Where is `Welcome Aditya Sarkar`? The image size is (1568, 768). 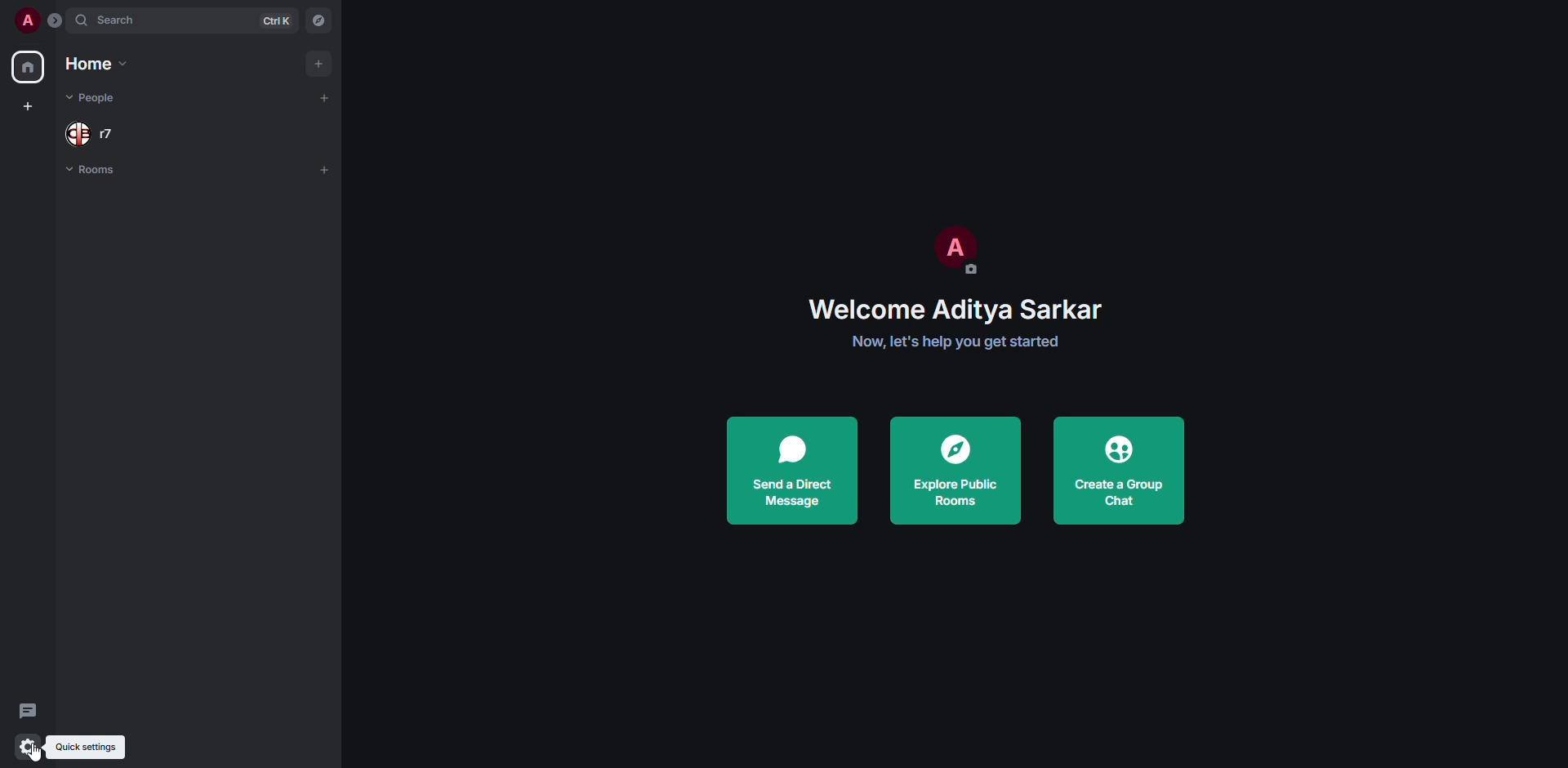 Welcome Aditya Sarkar is located at coordinates (961, 308).